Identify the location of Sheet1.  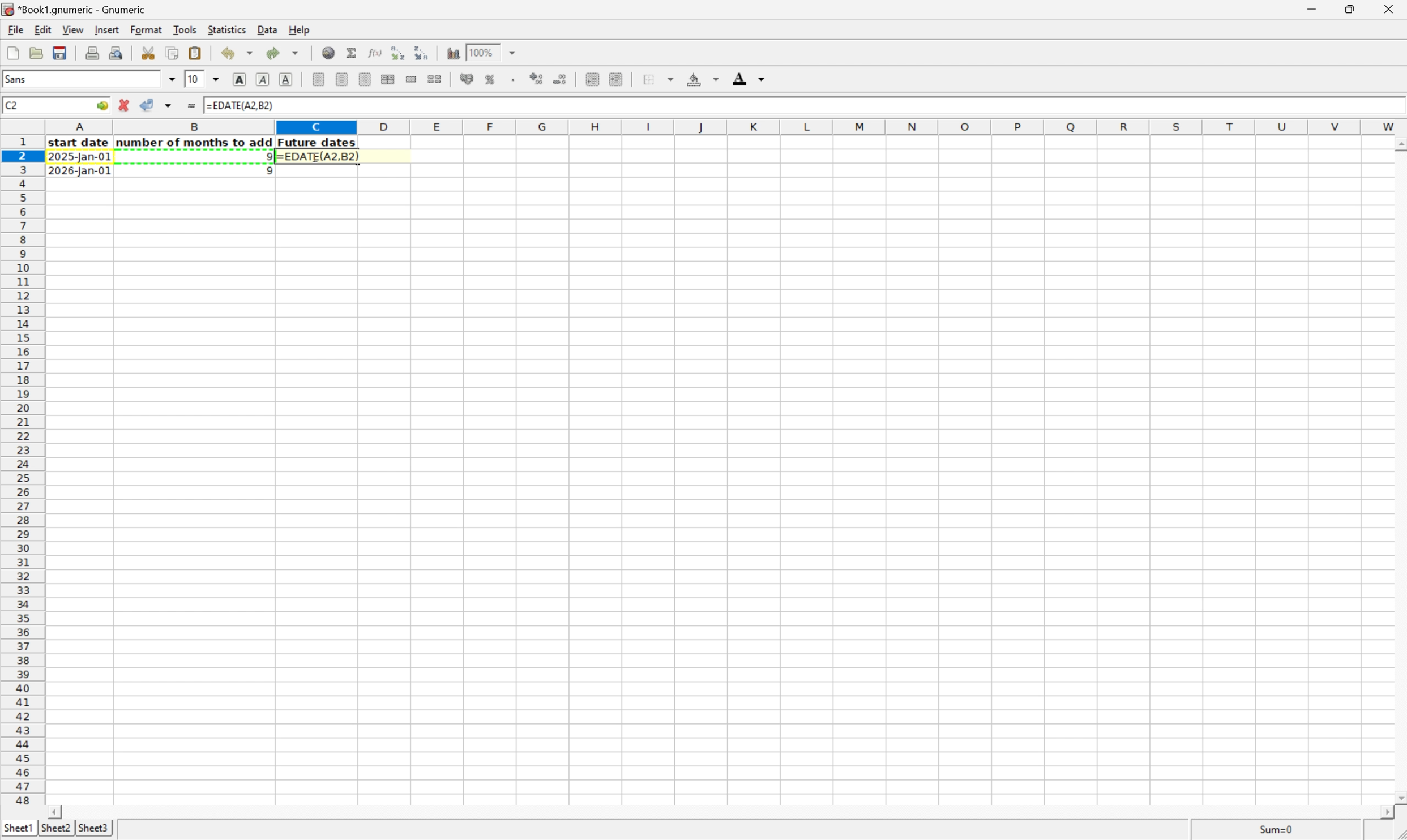
(18, 828).